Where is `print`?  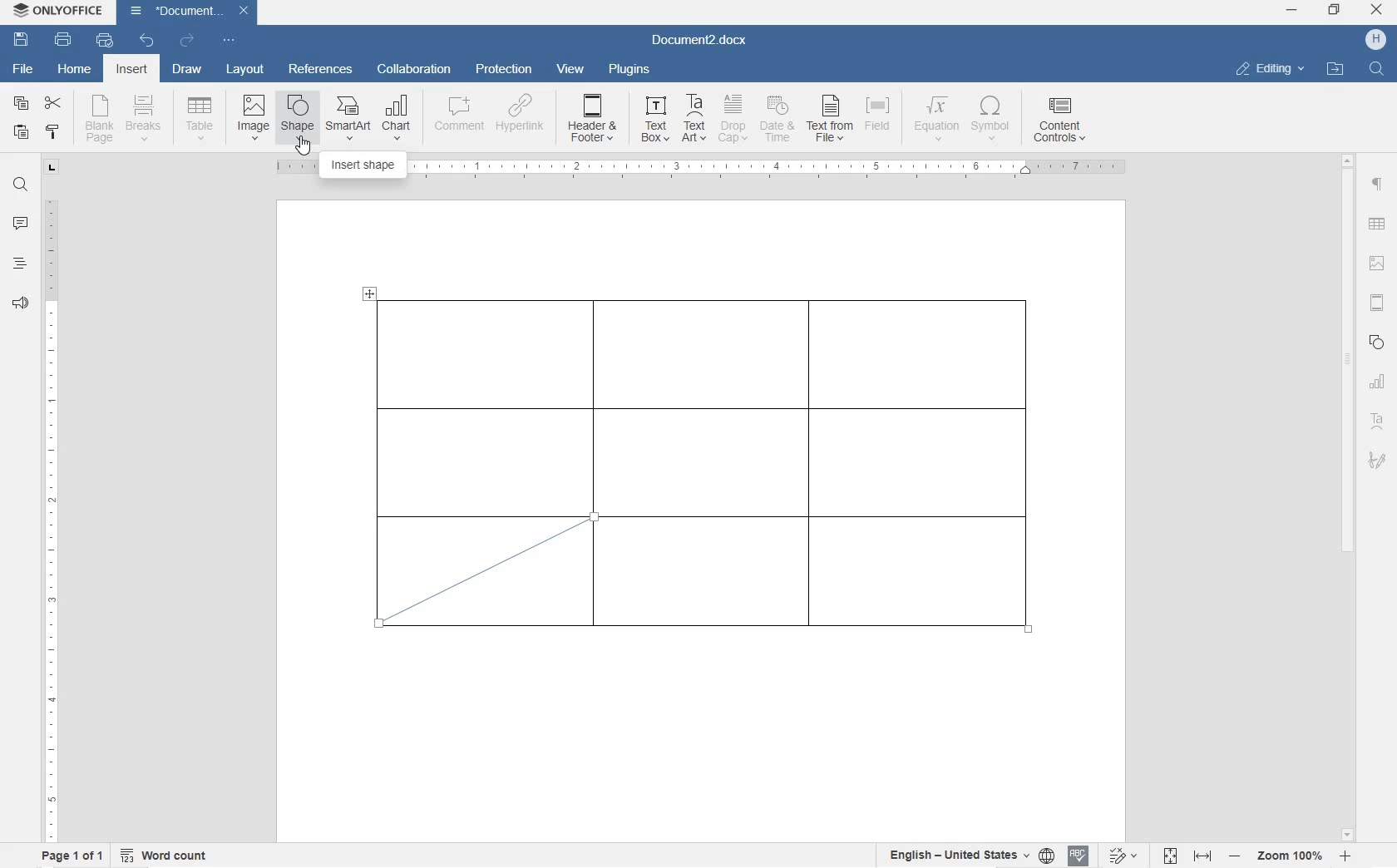
print is located at coordinates (64, 39).